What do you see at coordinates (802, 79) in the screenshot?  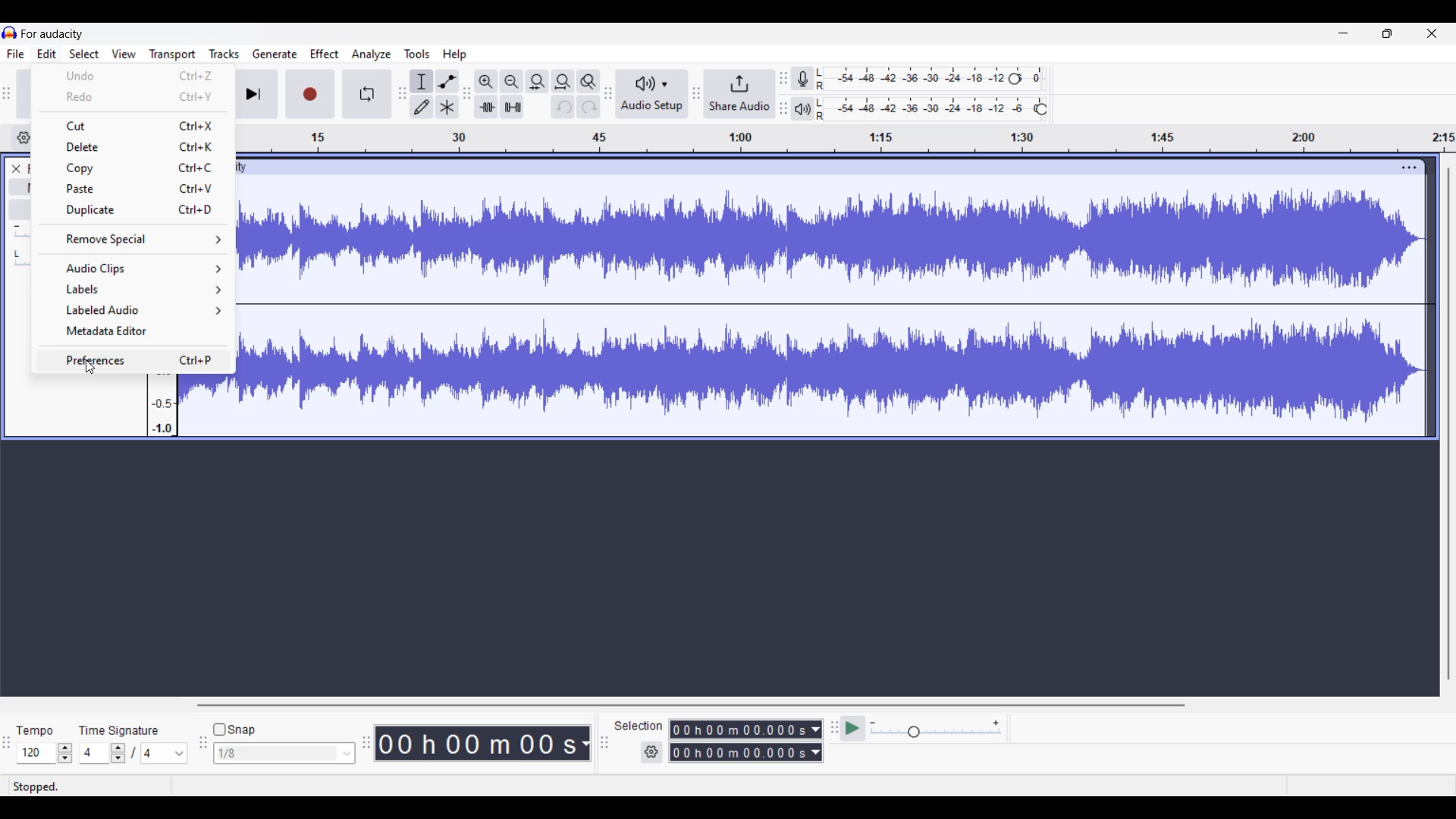 I see `Record meter` at bounding box center [802, 79].